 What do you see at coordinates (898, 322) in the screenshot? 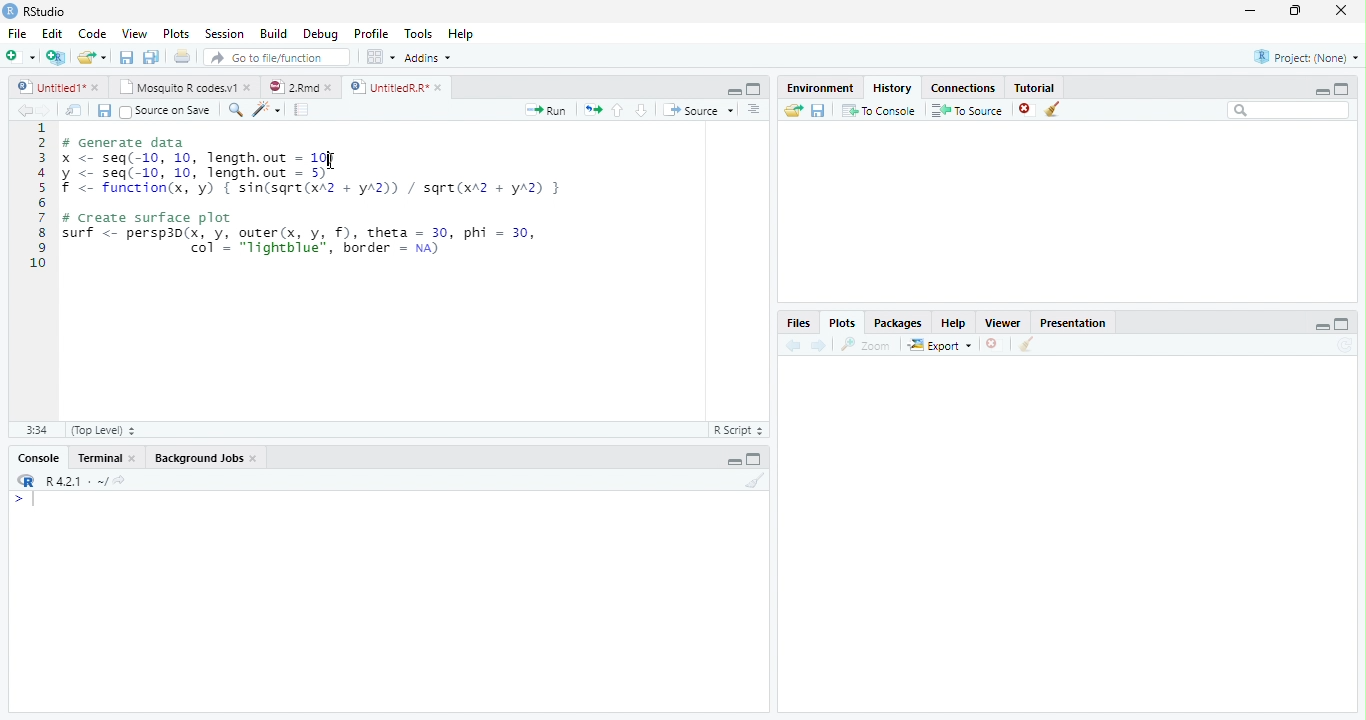
I see `Packages` at bounding box center [898, 322].